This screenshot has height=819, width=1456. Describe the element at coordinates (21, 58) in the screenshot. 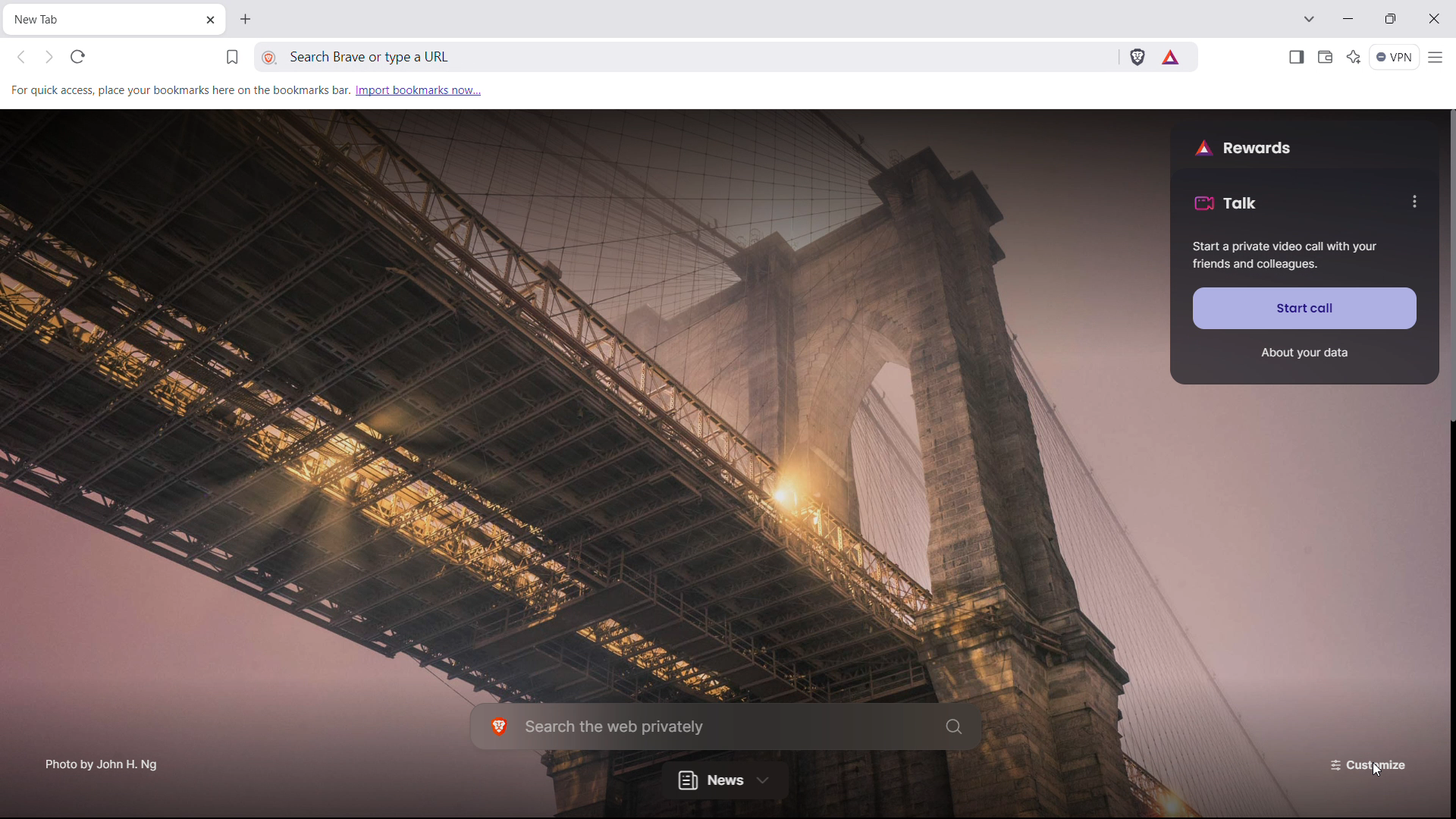

I see `click to go back hold to see history ` at that location.